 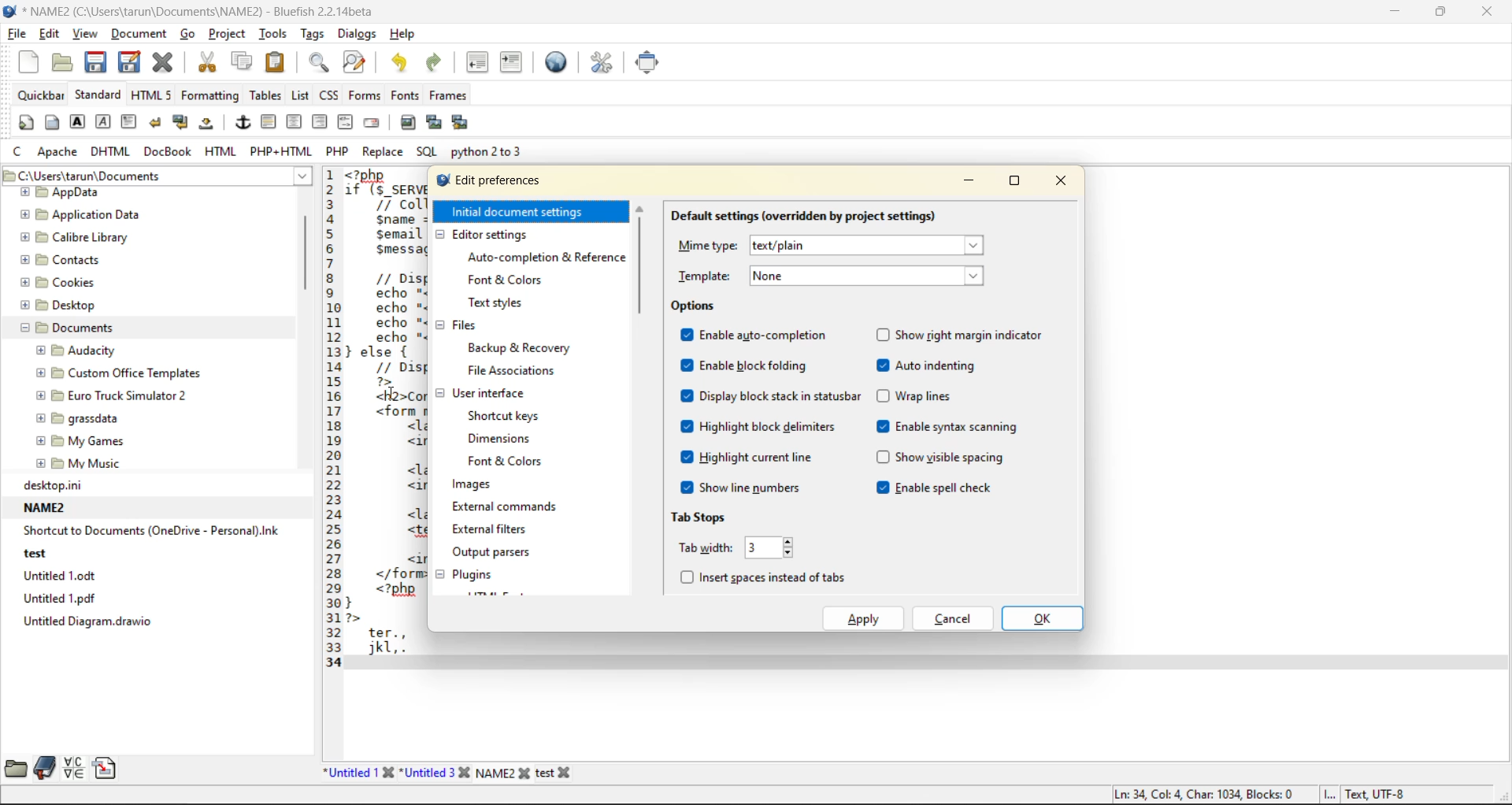 What do you see at coordinates (78, 121) in the screenshot?
I see `strong` at bounding box center [78, 121].